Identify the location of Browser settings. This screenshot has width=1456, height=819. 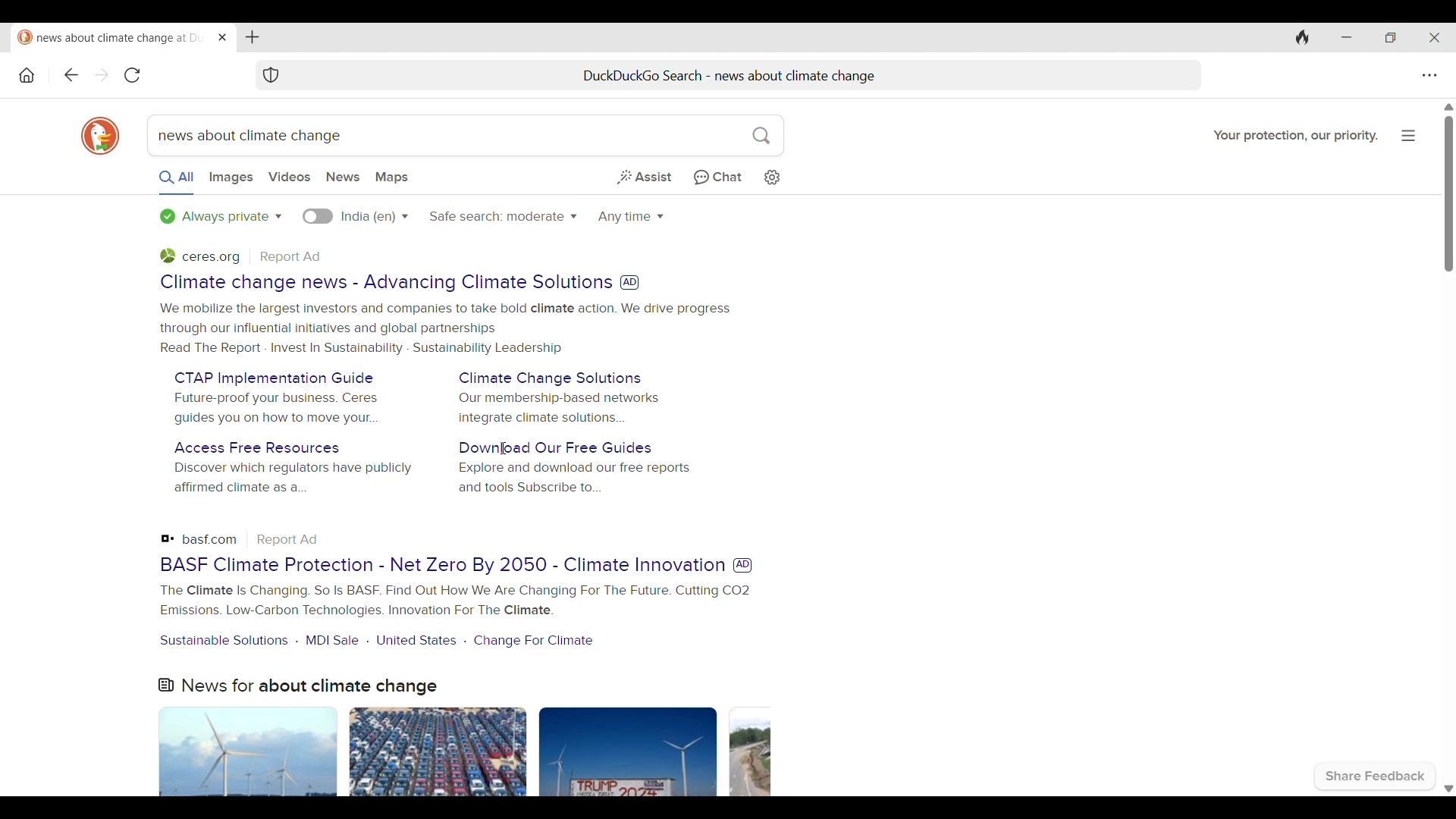
(1429, 76).